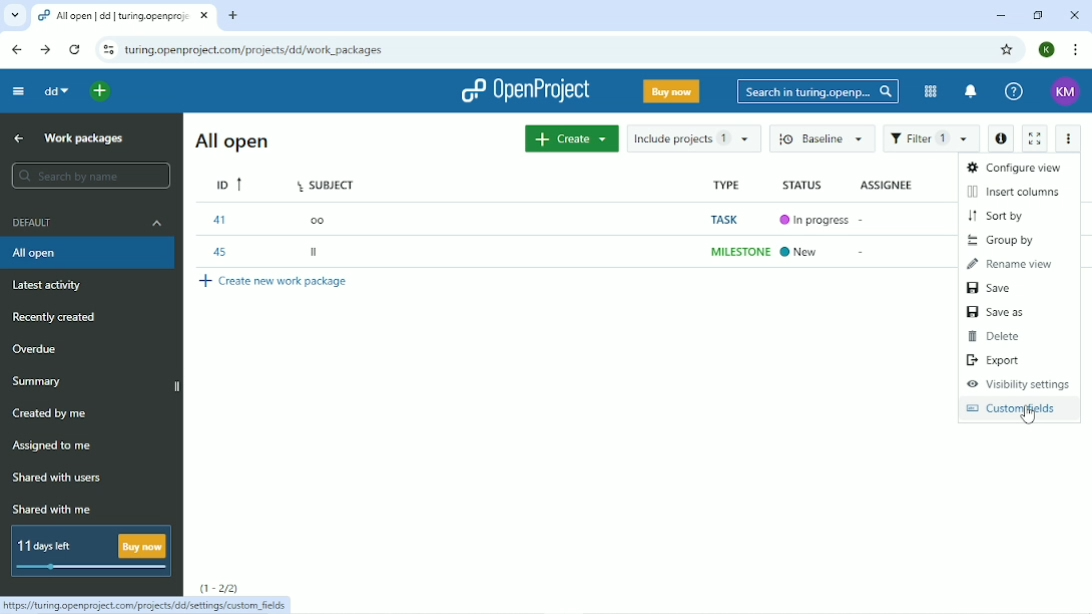 The height and width of the screenshot is (614, 1092). Describe the element at coordinates (229, 185) in the screenshot. I see `ID` at that location.